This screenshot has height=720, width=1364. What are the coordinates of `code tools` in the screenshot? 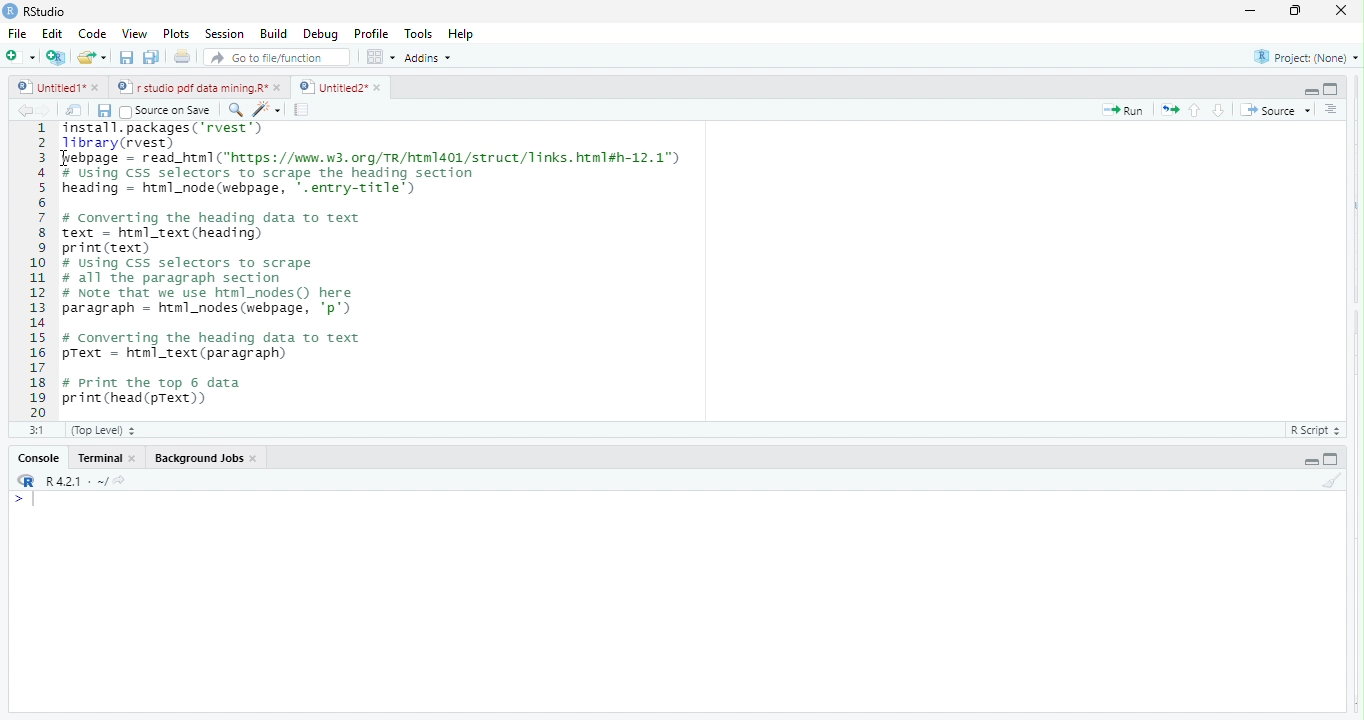 It's located at (267, 109).